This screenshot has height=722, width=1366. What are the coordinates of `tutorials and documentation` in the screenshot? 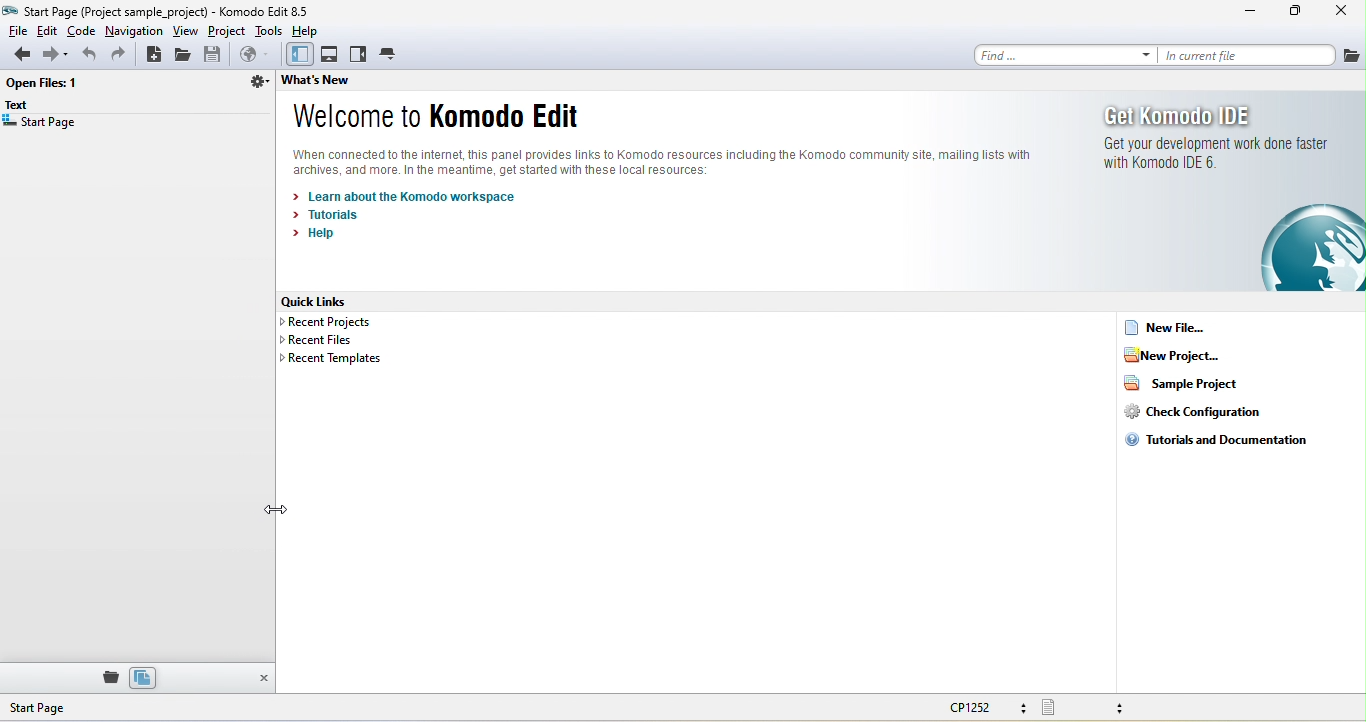 It's located at (1218, 441).